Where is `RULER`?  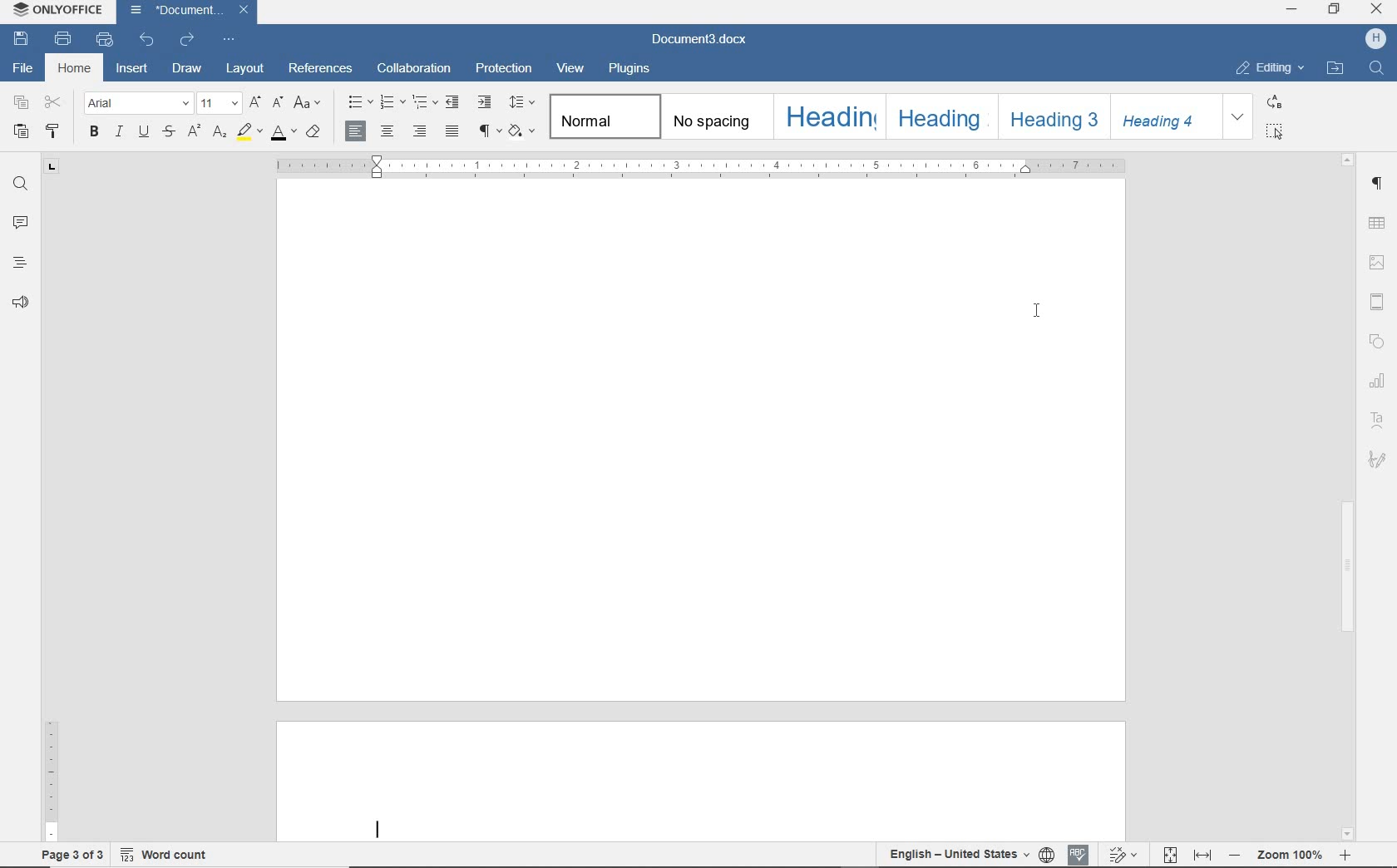
RULER is located at coordinates (700, 167).